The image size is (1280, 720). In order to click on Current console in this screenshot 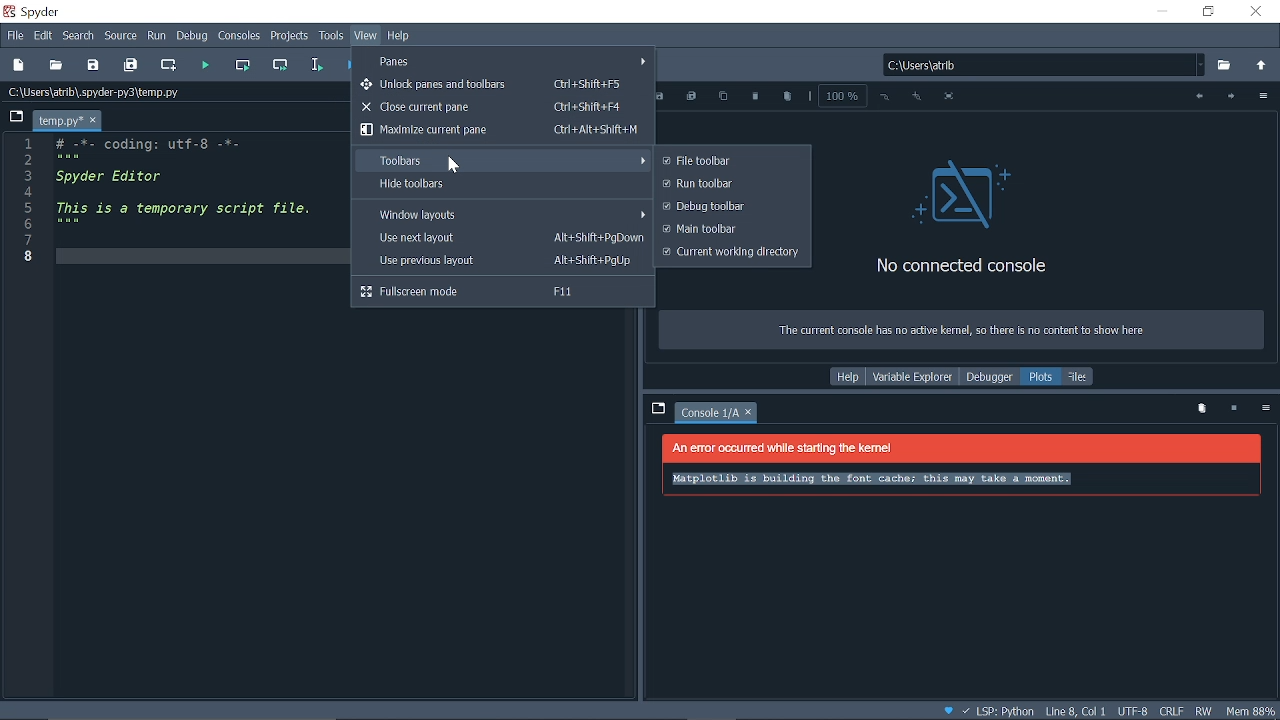, I will do `click(710, 414)`.